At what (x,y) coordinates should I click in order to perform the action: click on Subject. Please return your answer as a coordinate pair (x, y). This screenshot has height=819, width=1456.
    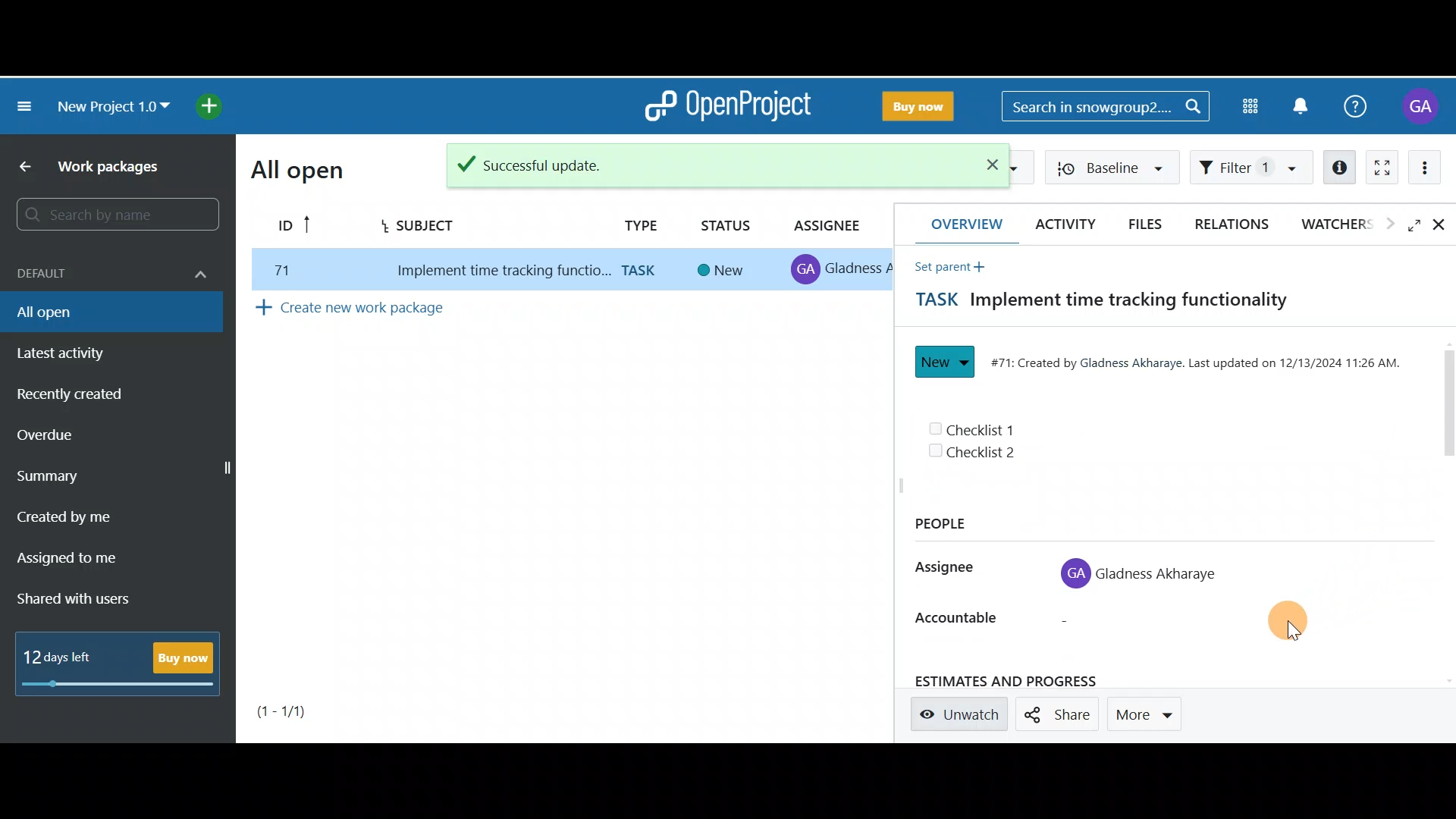
    Looking at the image, I should click on (442, 230).